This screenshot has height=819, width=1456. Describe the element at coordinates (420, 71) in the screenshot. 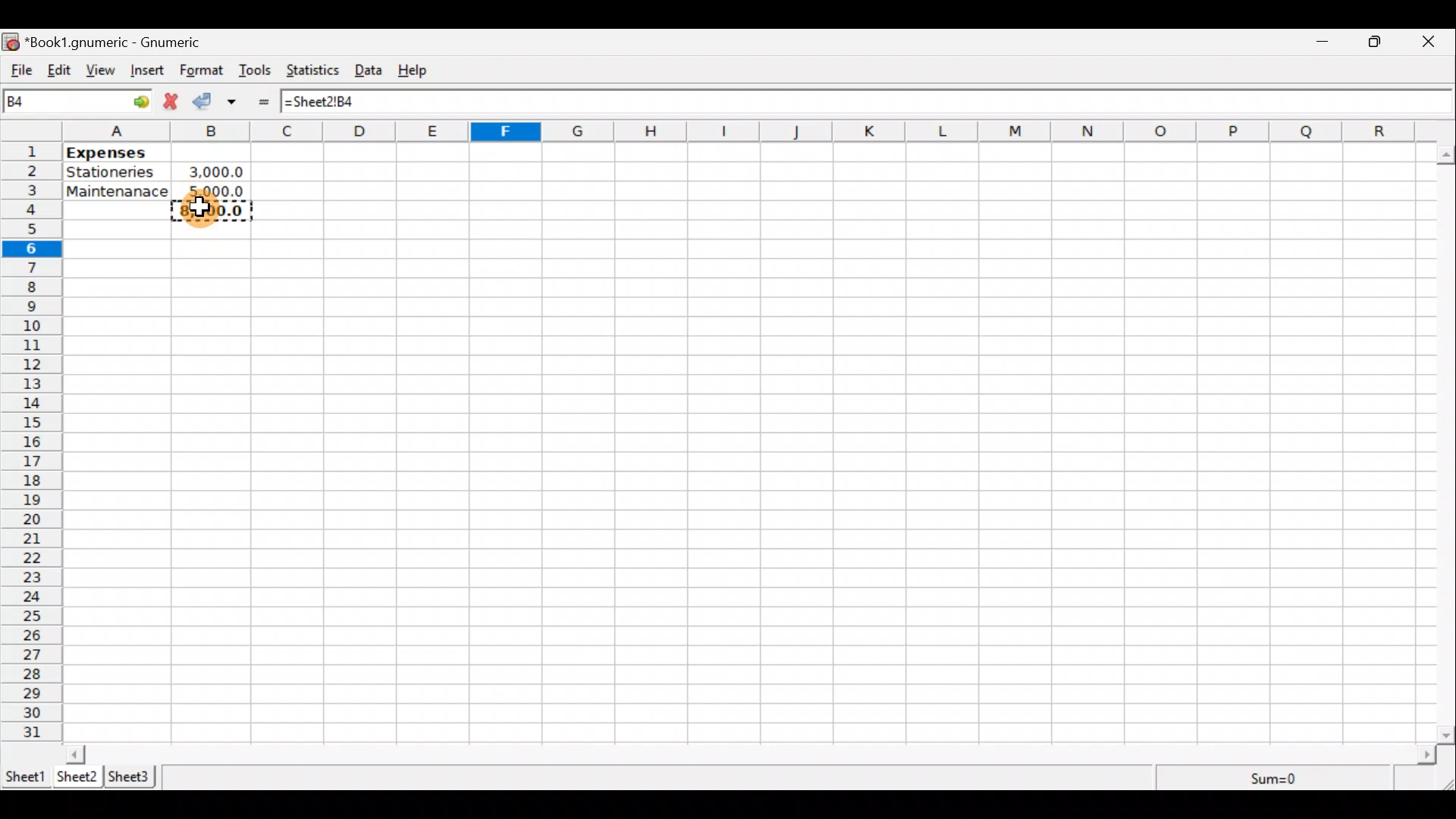

I see `Help` at that location.